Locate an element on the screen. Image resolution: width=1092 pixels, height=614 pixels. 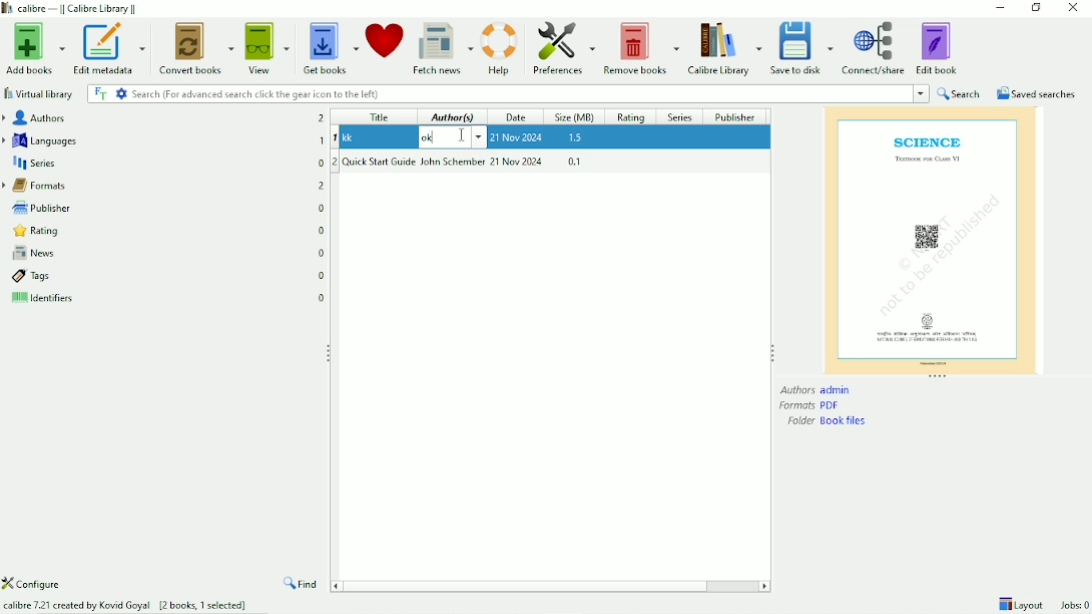
Calibre 7.21 created by Kovid Goyal [2 books, 1 selected] is located at coordinates (127, 605).